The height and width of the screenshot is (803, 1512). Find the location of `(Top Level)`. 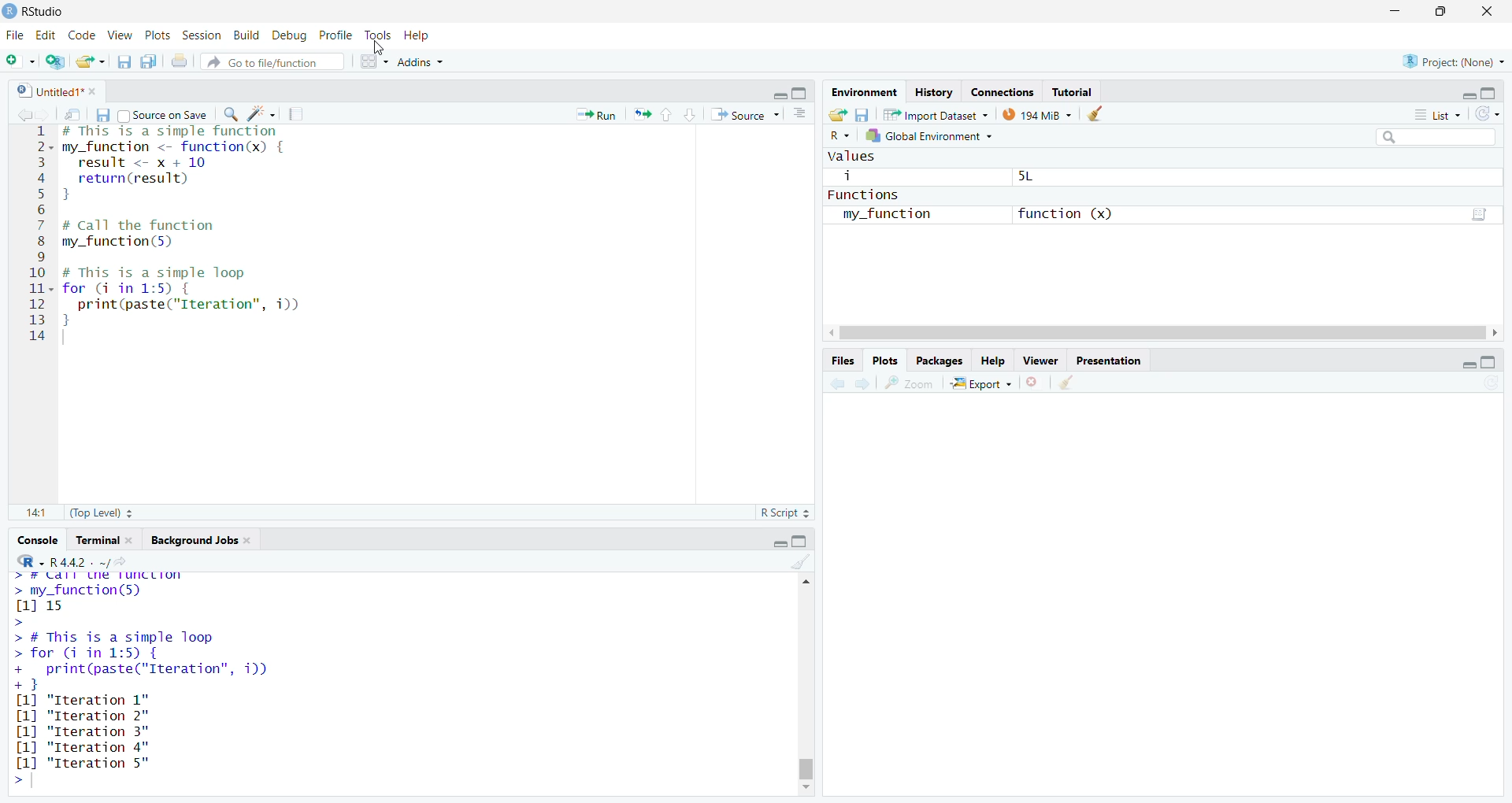

(Top Level) is located at coordinates (99, 515).